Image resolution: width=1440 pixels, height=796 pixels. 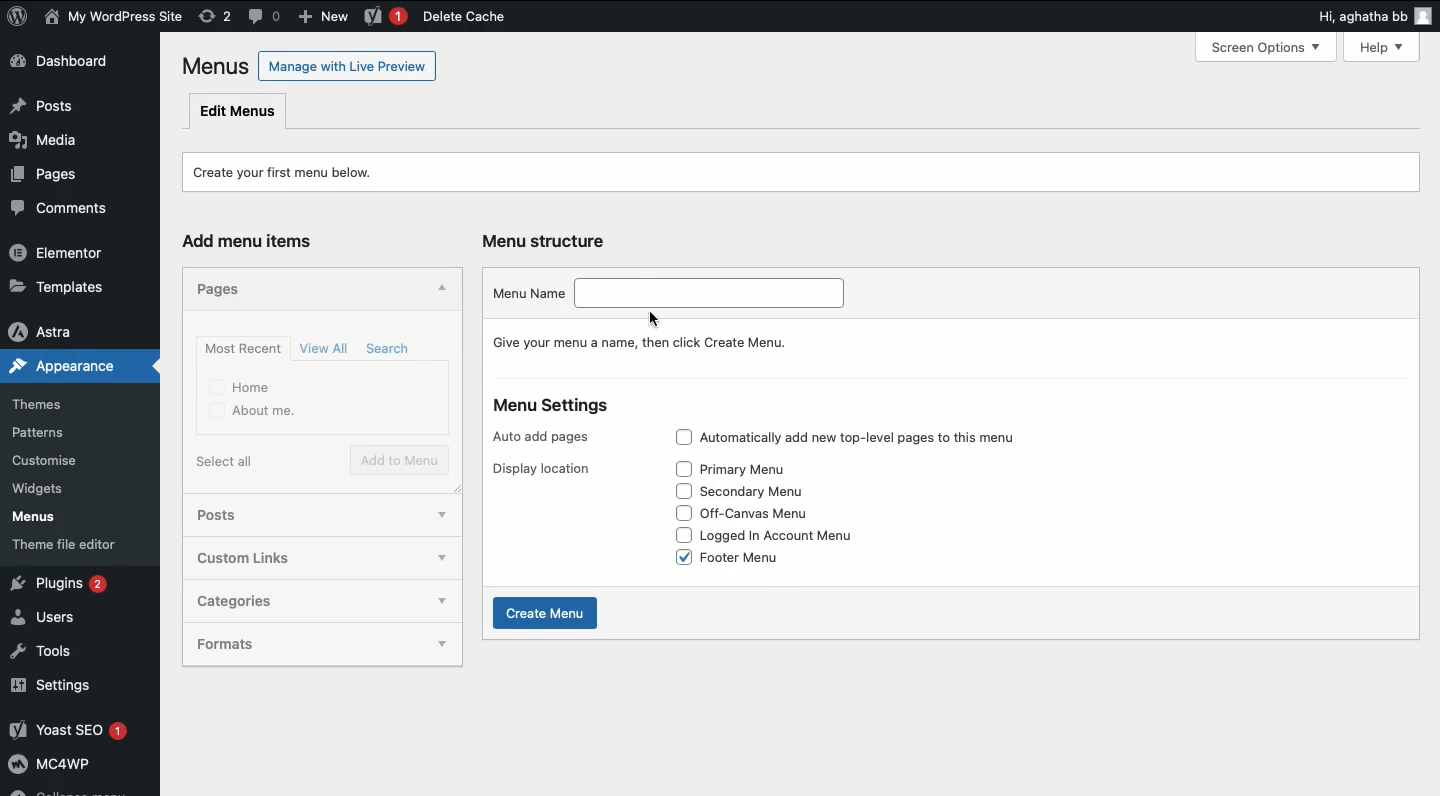 I want to click on Comment, so click(x=265, y=15).